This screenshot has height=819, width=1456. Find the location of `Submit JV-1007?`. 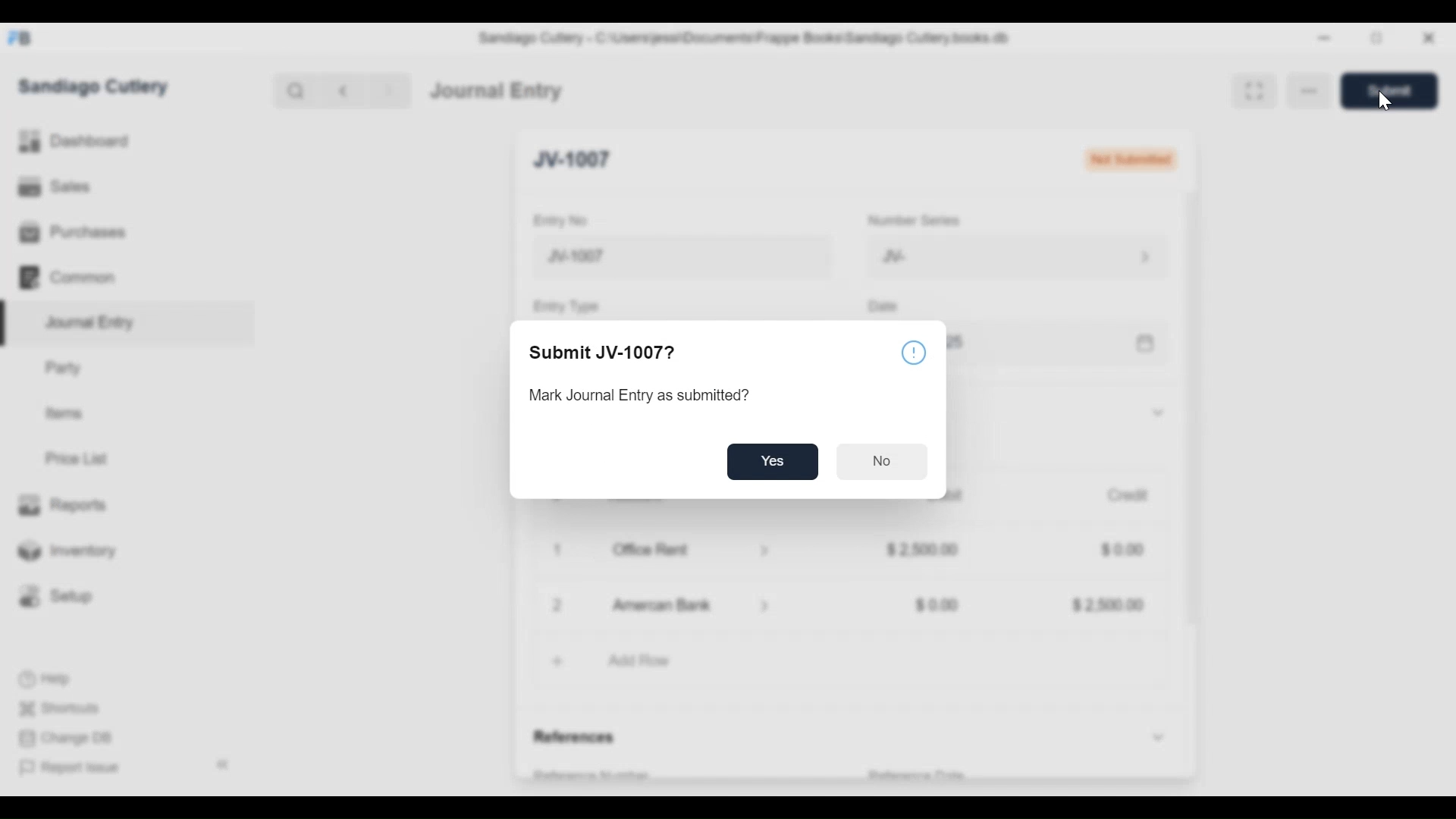

Submit JV-1007? is located at coordinates (610, 353).